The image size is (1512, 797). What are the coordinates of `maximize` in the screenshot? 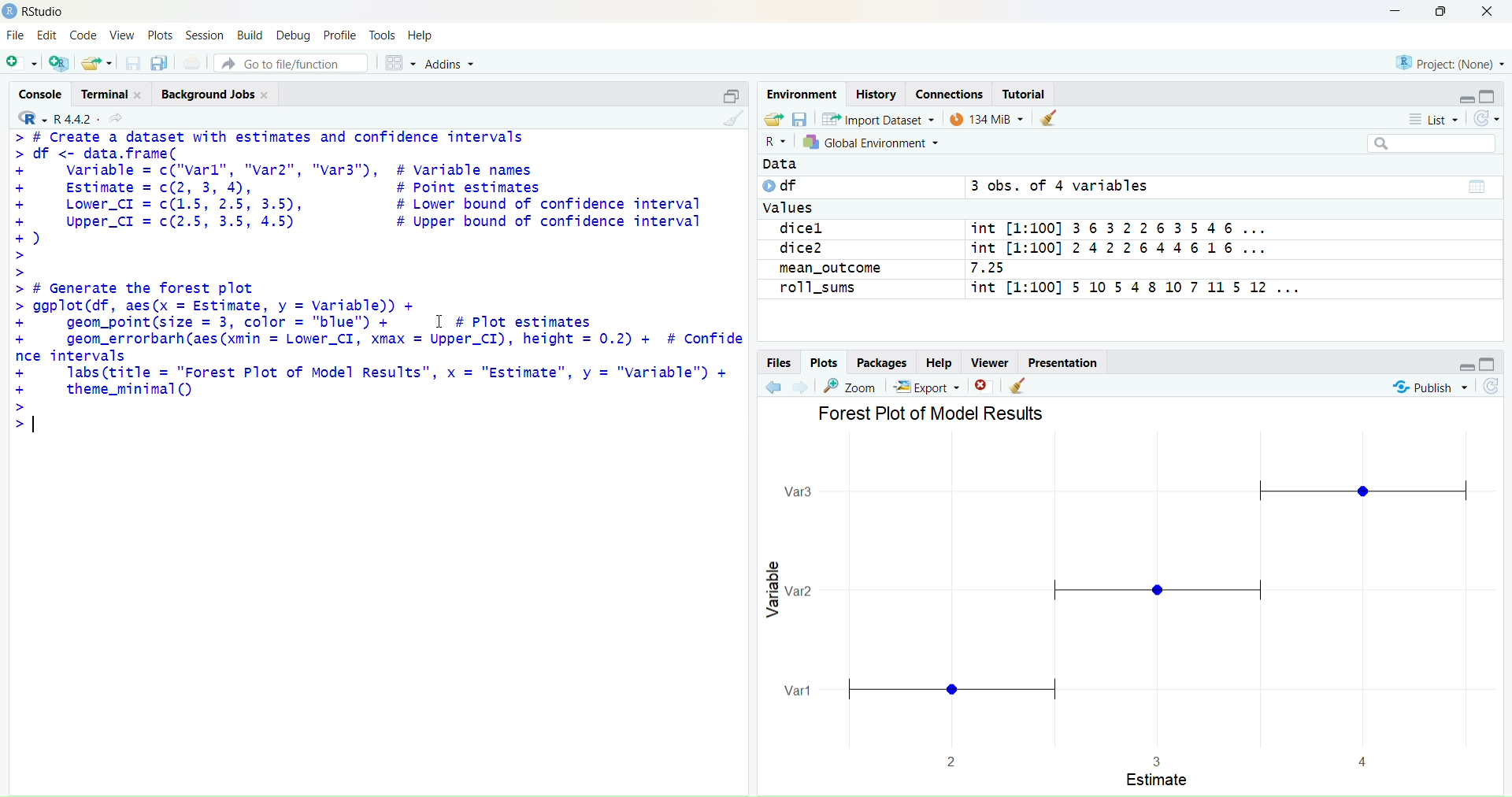 It's located at (731, 92).